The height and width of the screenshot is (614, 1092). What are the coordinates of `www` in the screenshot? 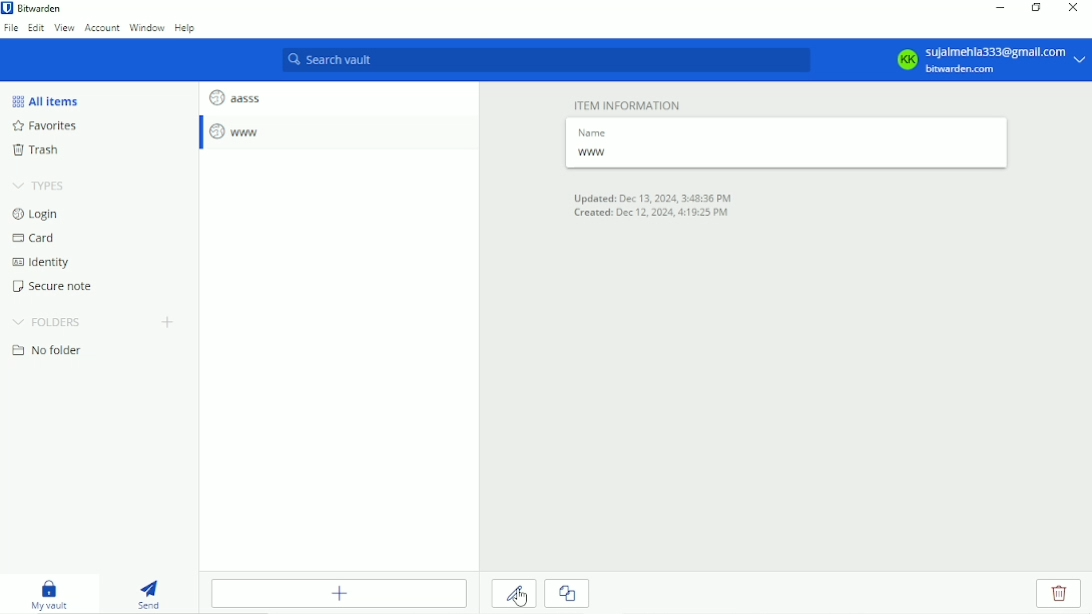 It's located at (594, 154).